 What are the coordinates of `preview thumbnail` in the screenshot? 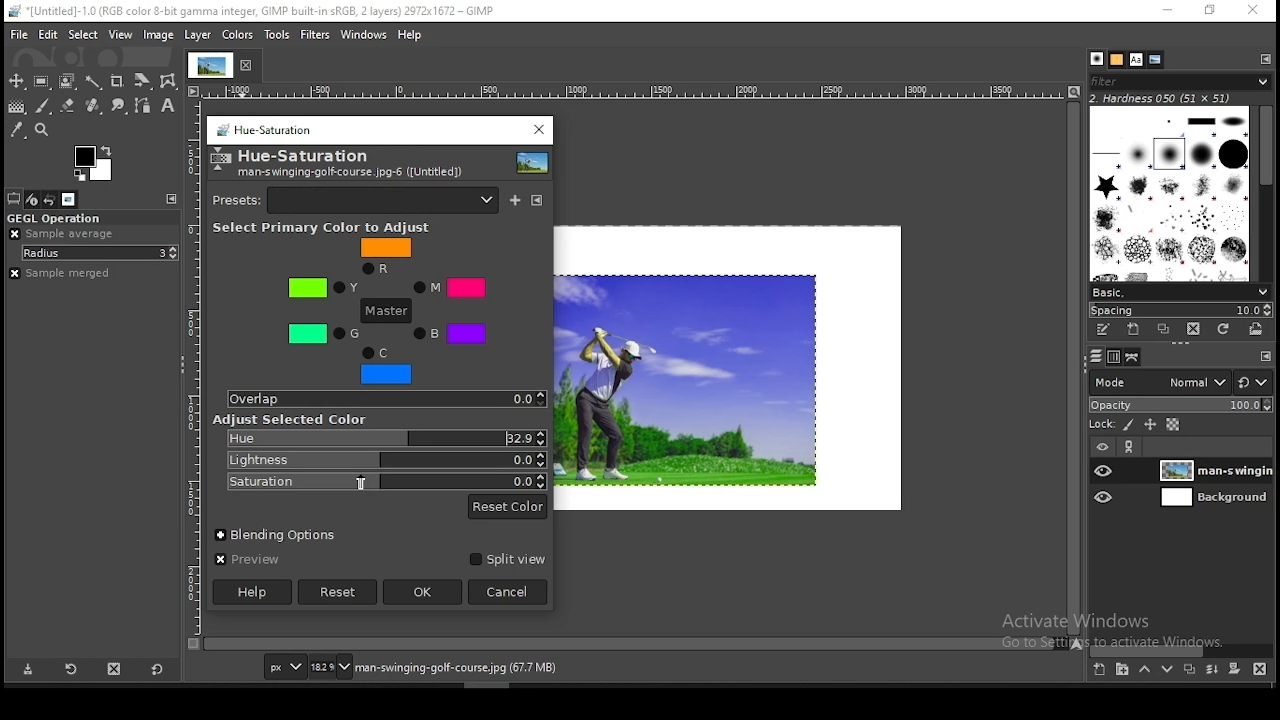 It's located at (529, 163).